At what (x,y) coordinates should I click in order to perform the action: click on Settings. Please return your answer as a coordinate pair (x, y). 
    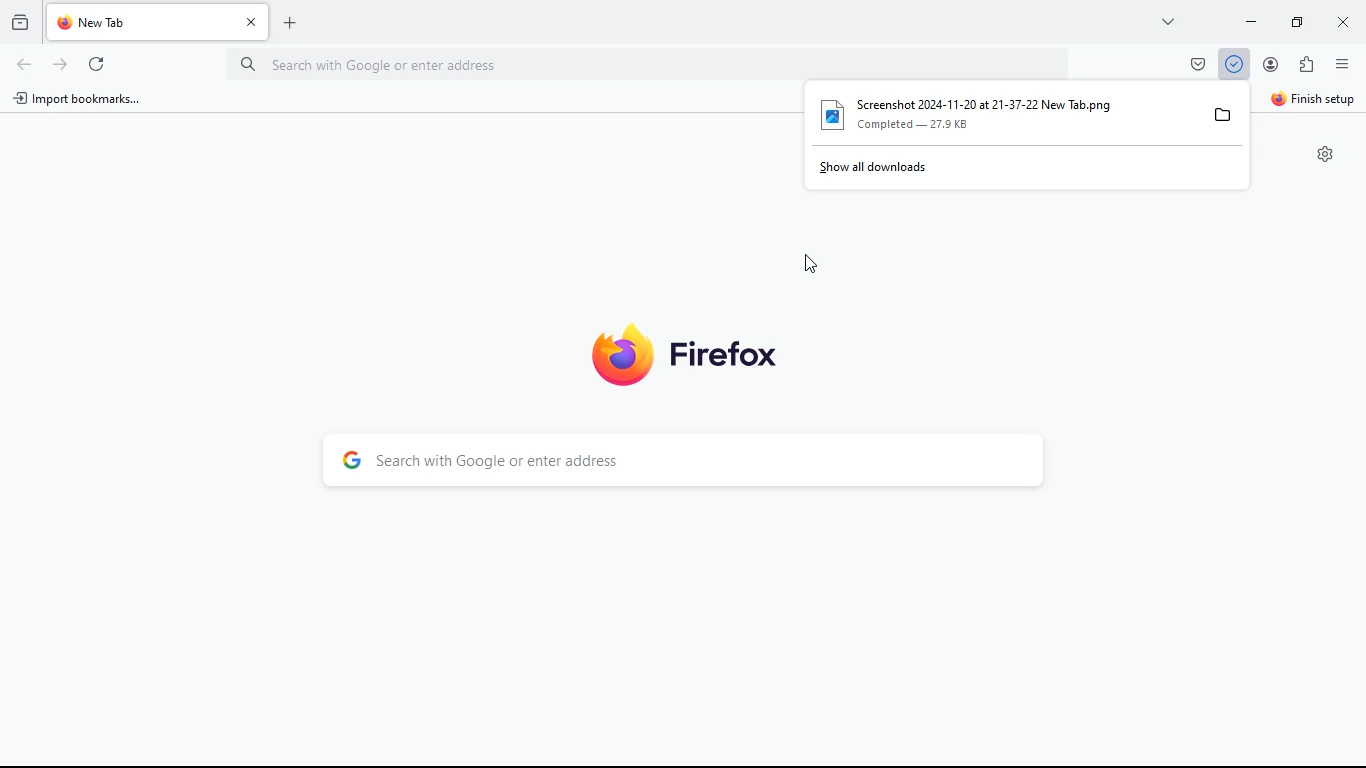
    Looking at the image, I should click on (1326, 154).